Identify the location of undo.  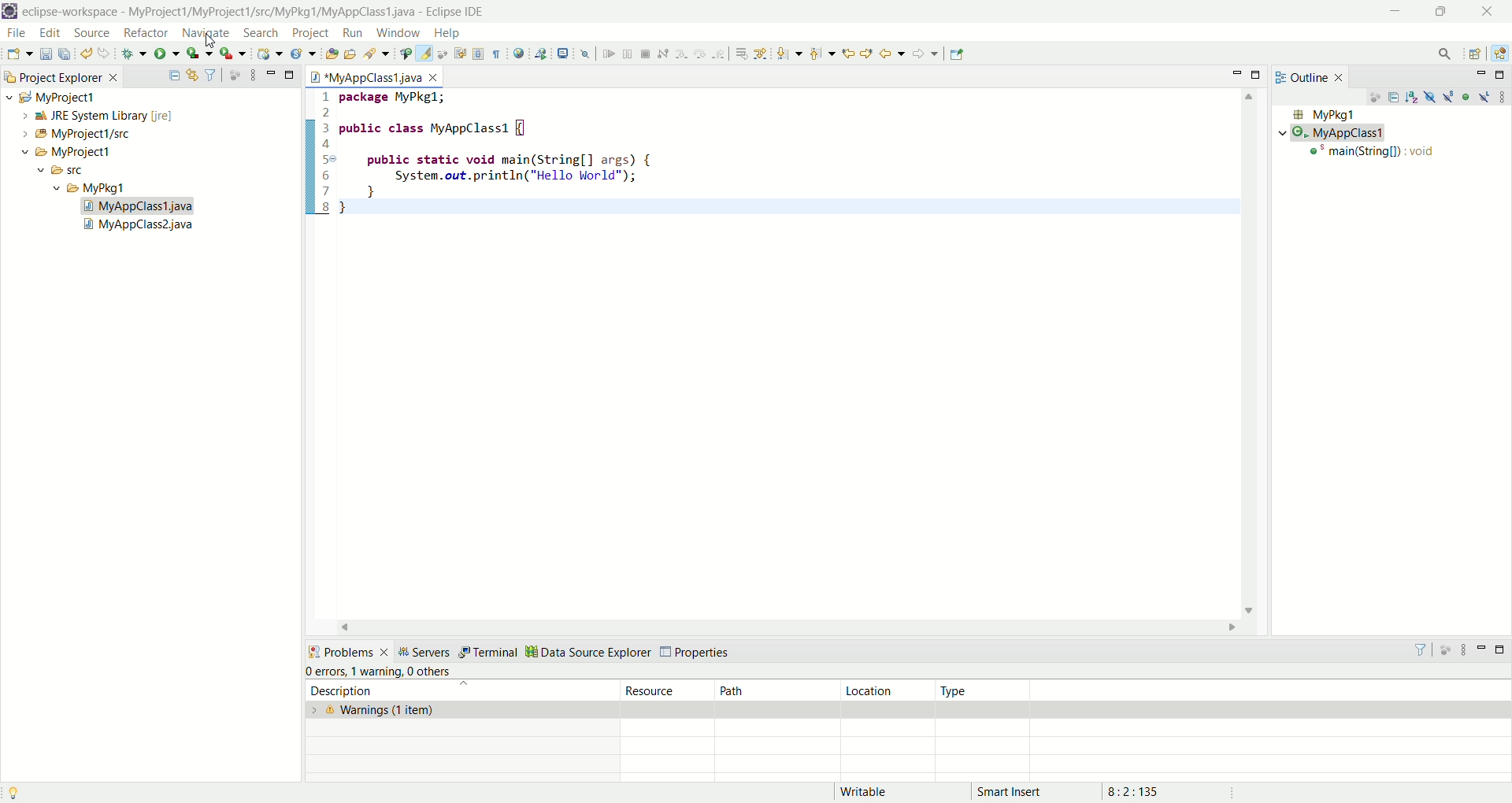
(88, 54).